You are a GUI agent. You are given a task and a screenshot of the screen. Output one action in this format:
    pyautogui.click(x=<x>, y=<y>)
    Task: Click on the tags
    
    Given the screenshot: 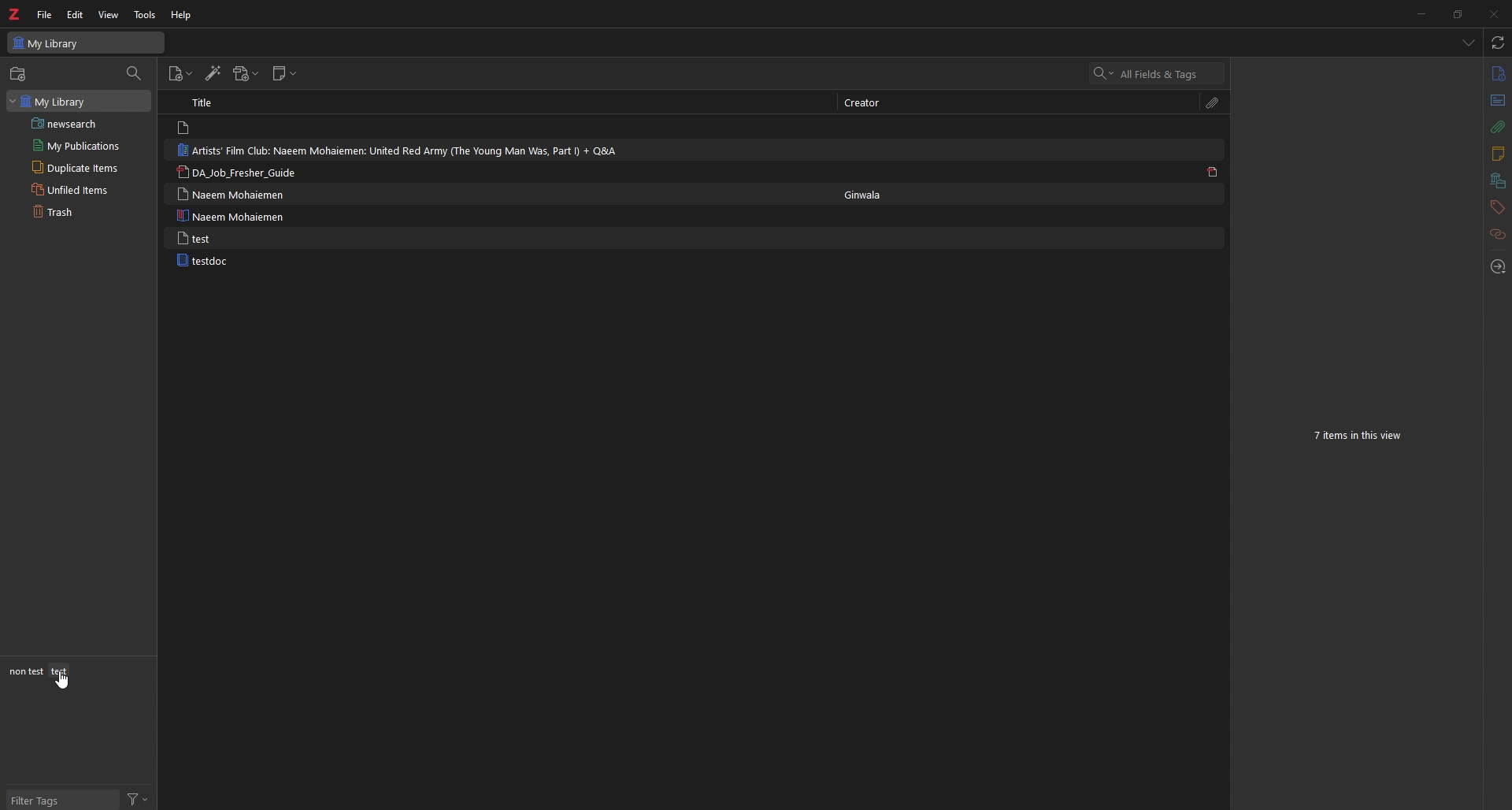 What is the action you would take?
    pyautogui.click(x=1497, y=206)
    